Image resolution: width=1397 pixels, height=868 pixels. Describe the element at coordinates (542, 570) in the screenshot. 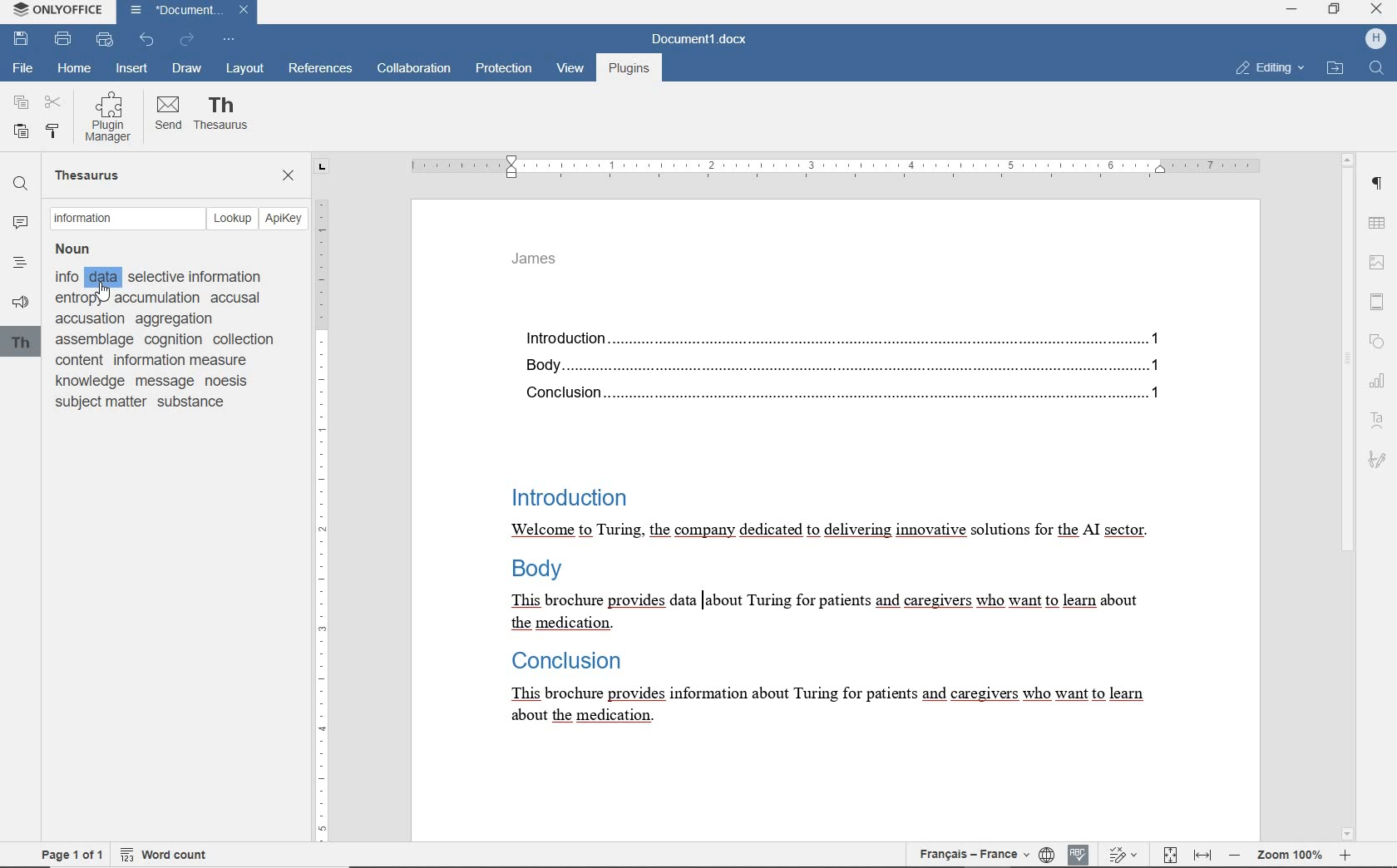

I see `Body` at that location.